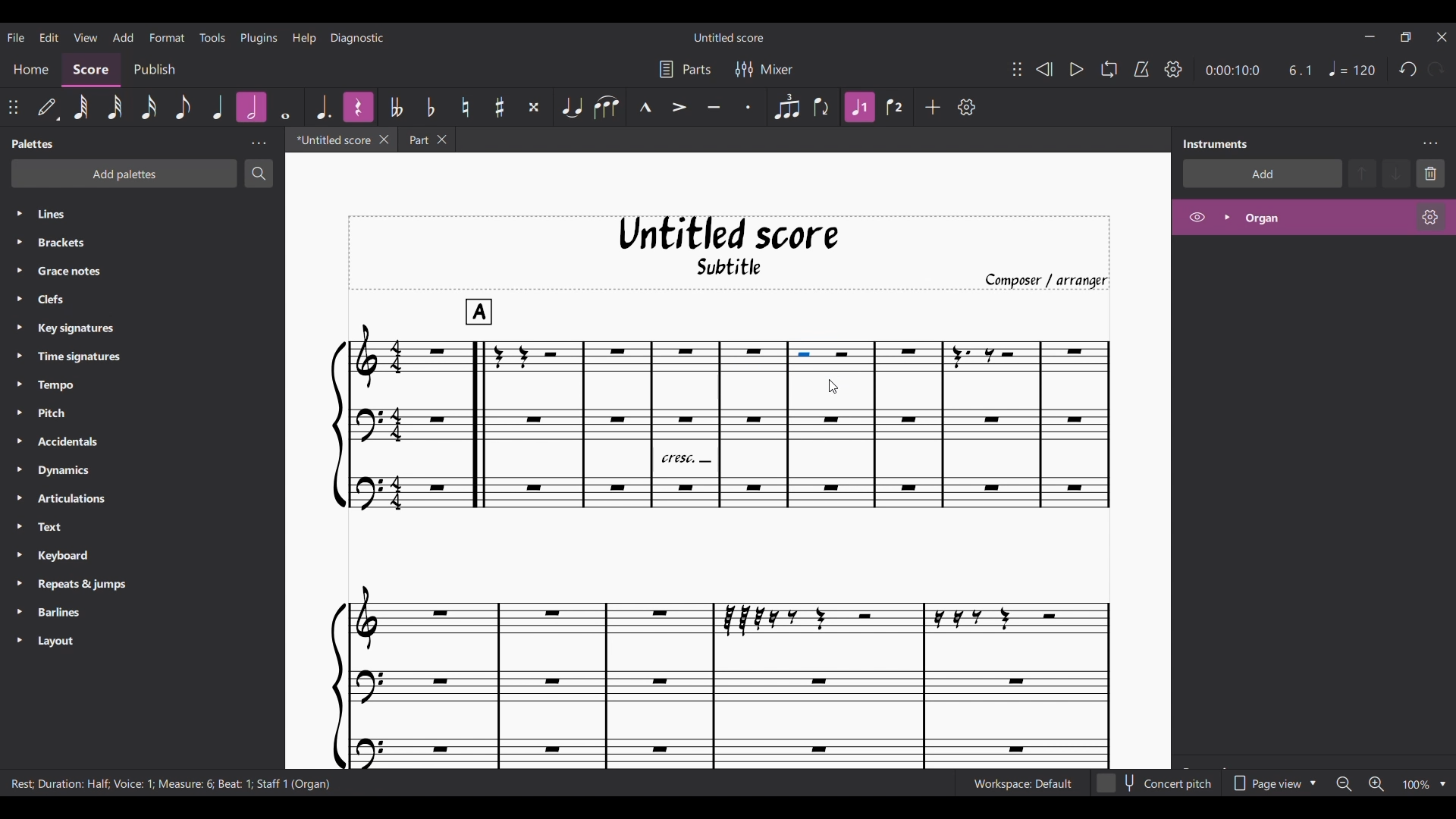 This screenshot has width=1456, height=819. What do you see at coordinates (303, 38) in the screenshot?
I see `Help menu` at bounding box center [303, 38].